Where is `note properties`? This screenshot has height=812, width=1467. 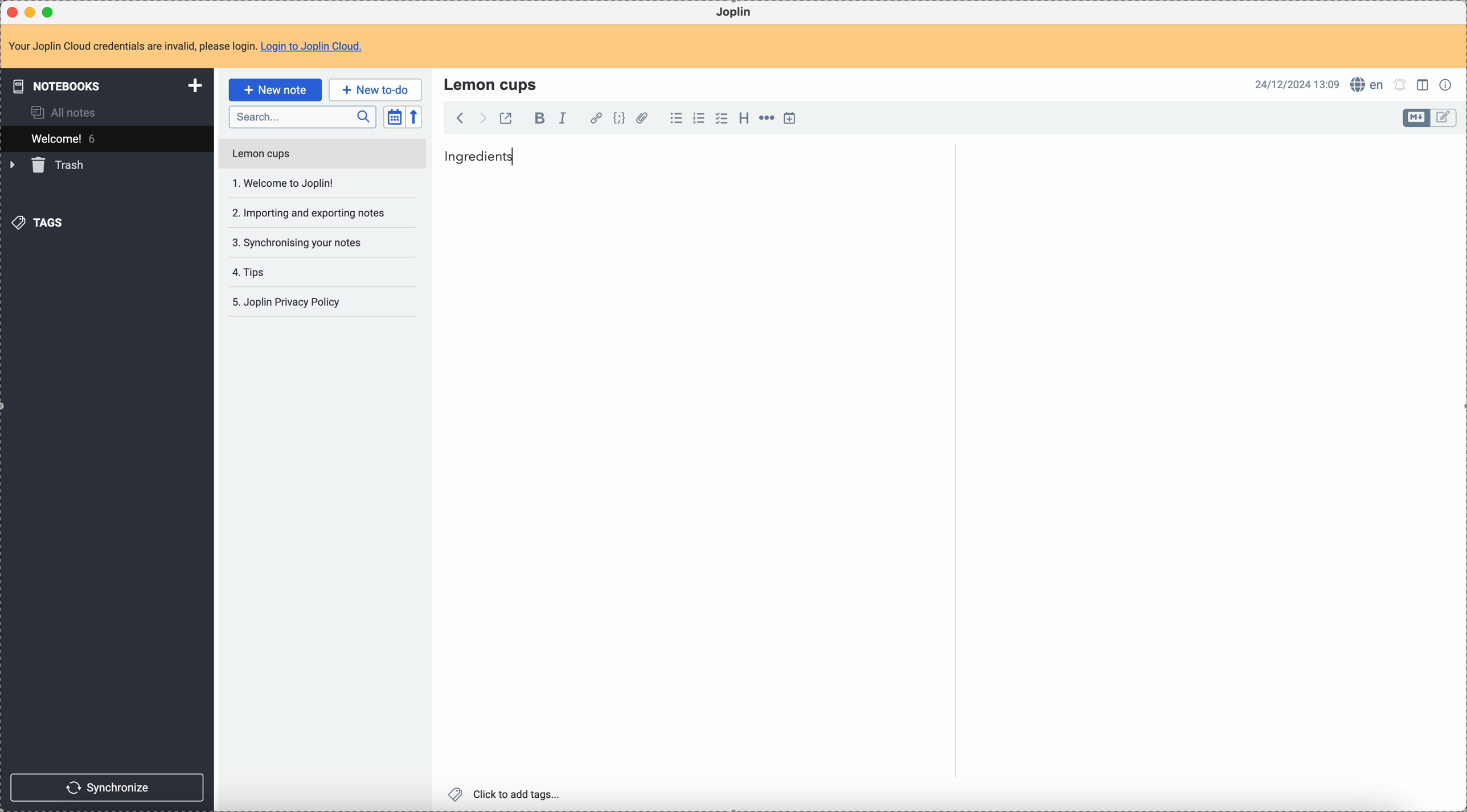
note properties is located at coordinates (1448, 84).